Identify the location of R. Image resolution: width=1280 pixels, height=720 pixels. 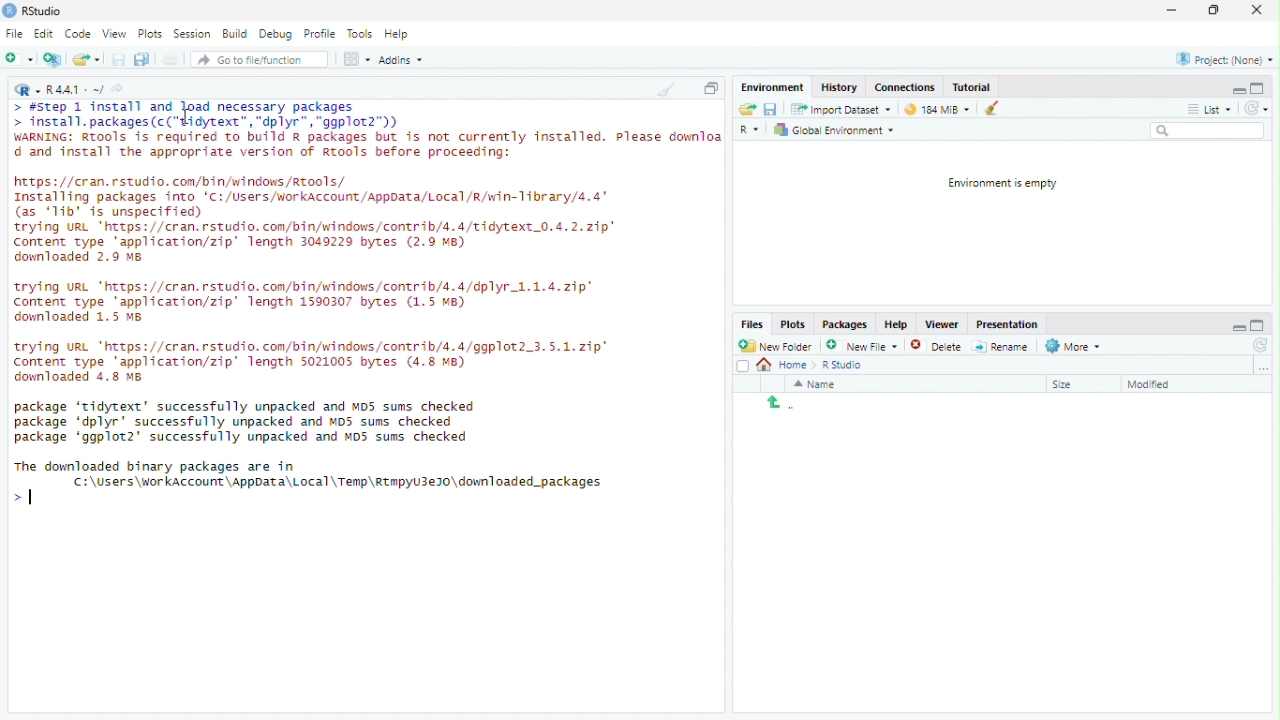
(752, 131).